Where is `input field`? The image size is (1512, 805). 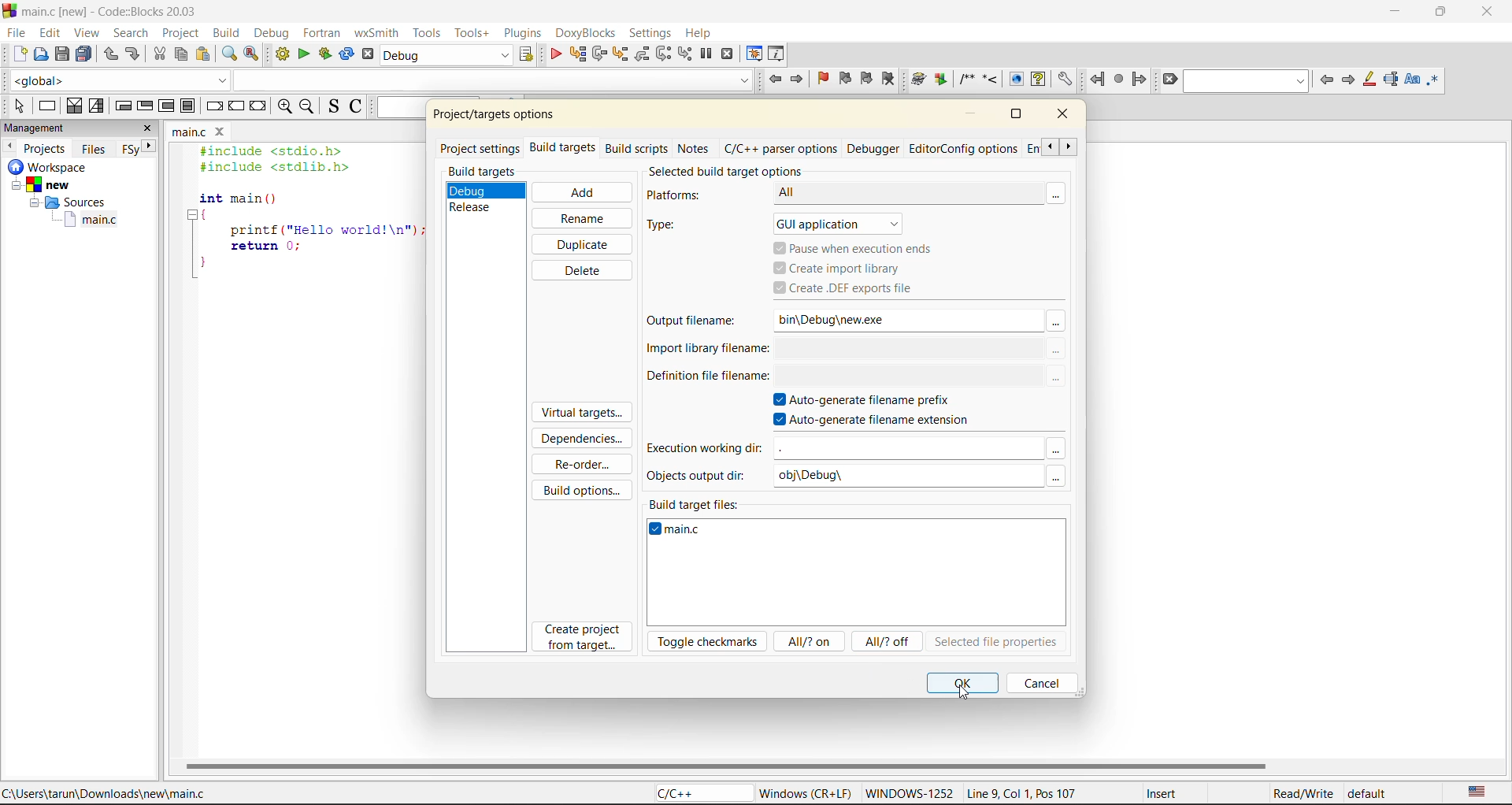
input field is located at coordinates (905, 447).